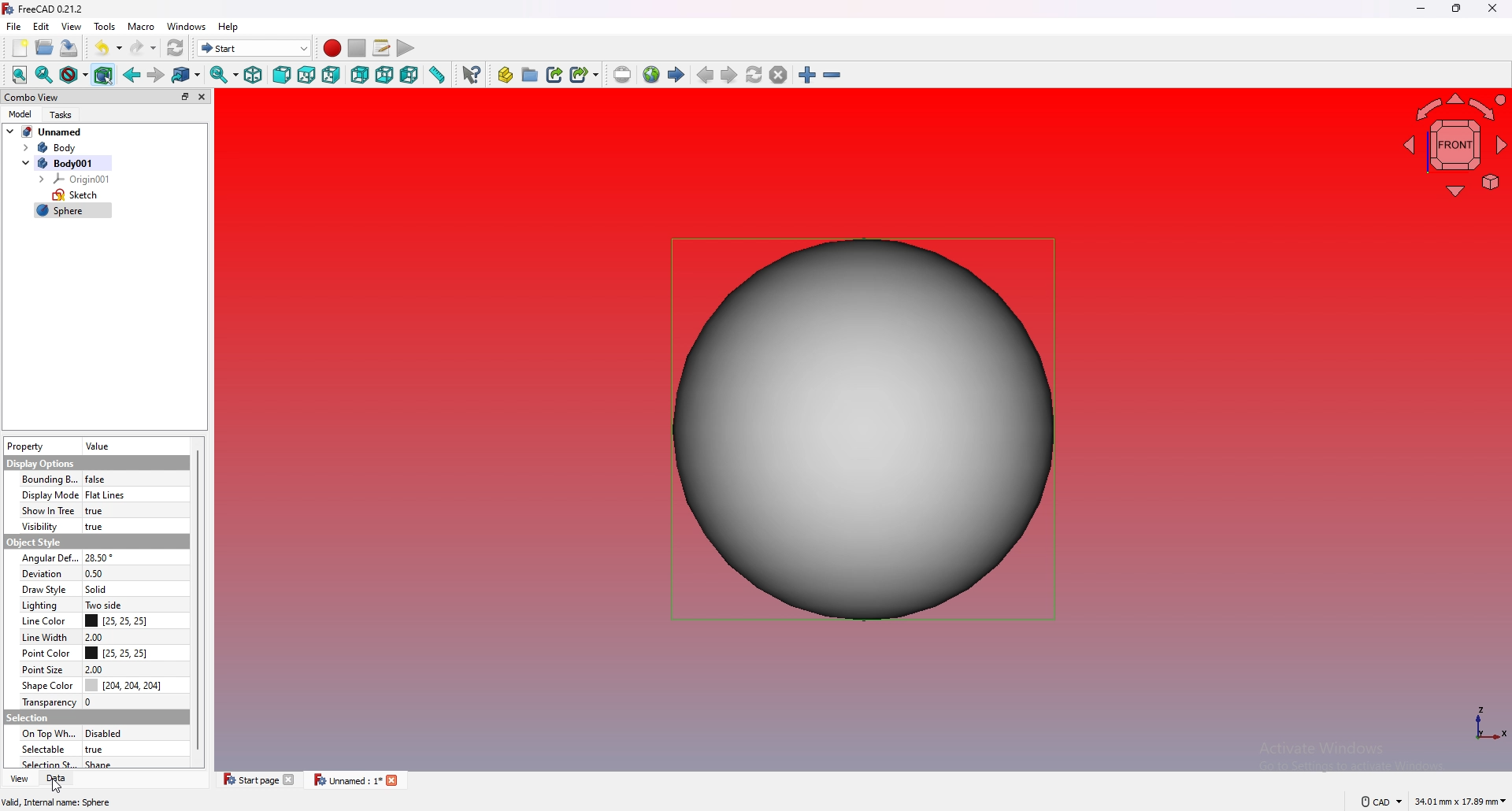 The width and height of the screenshot is (1512, 811). What do you see at coordinates (94, 494) in the screenshot?
I see `display mode` at bounding box center [94, 494].